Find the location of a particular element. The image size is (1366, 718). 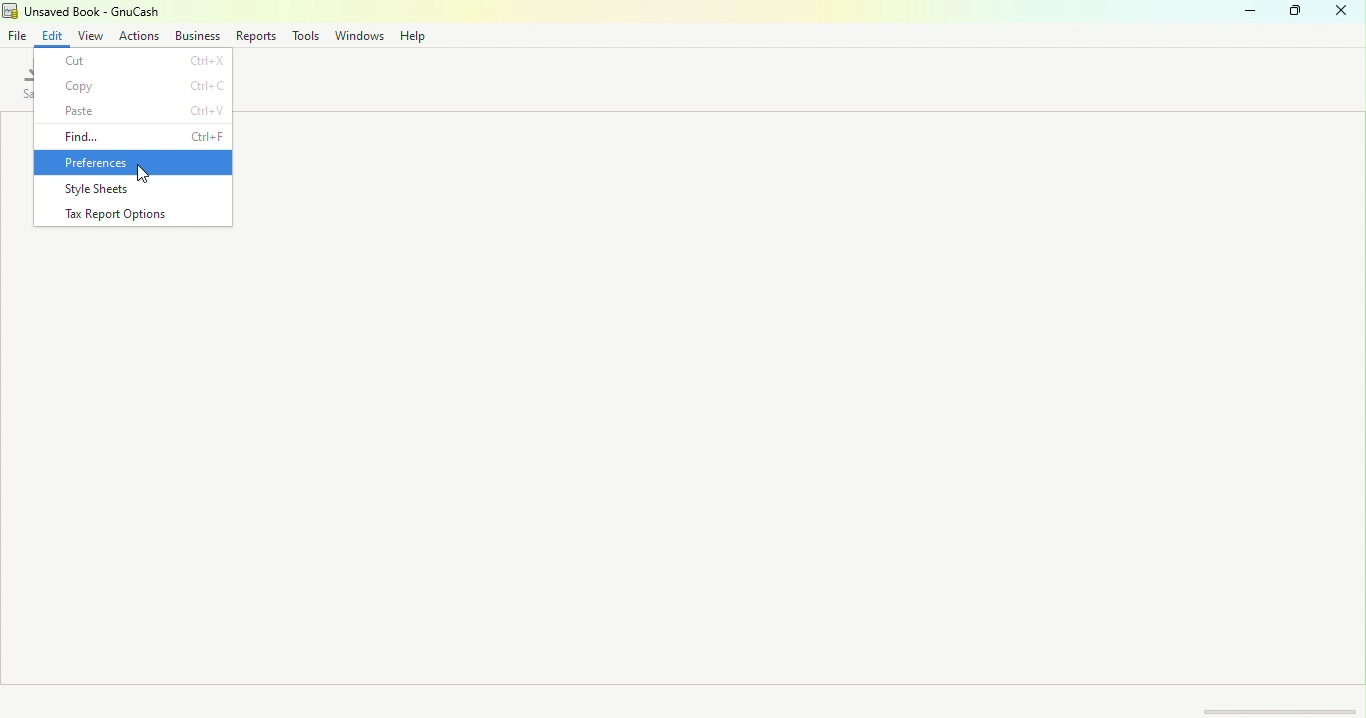

Business is located at coordinates (197, 35).